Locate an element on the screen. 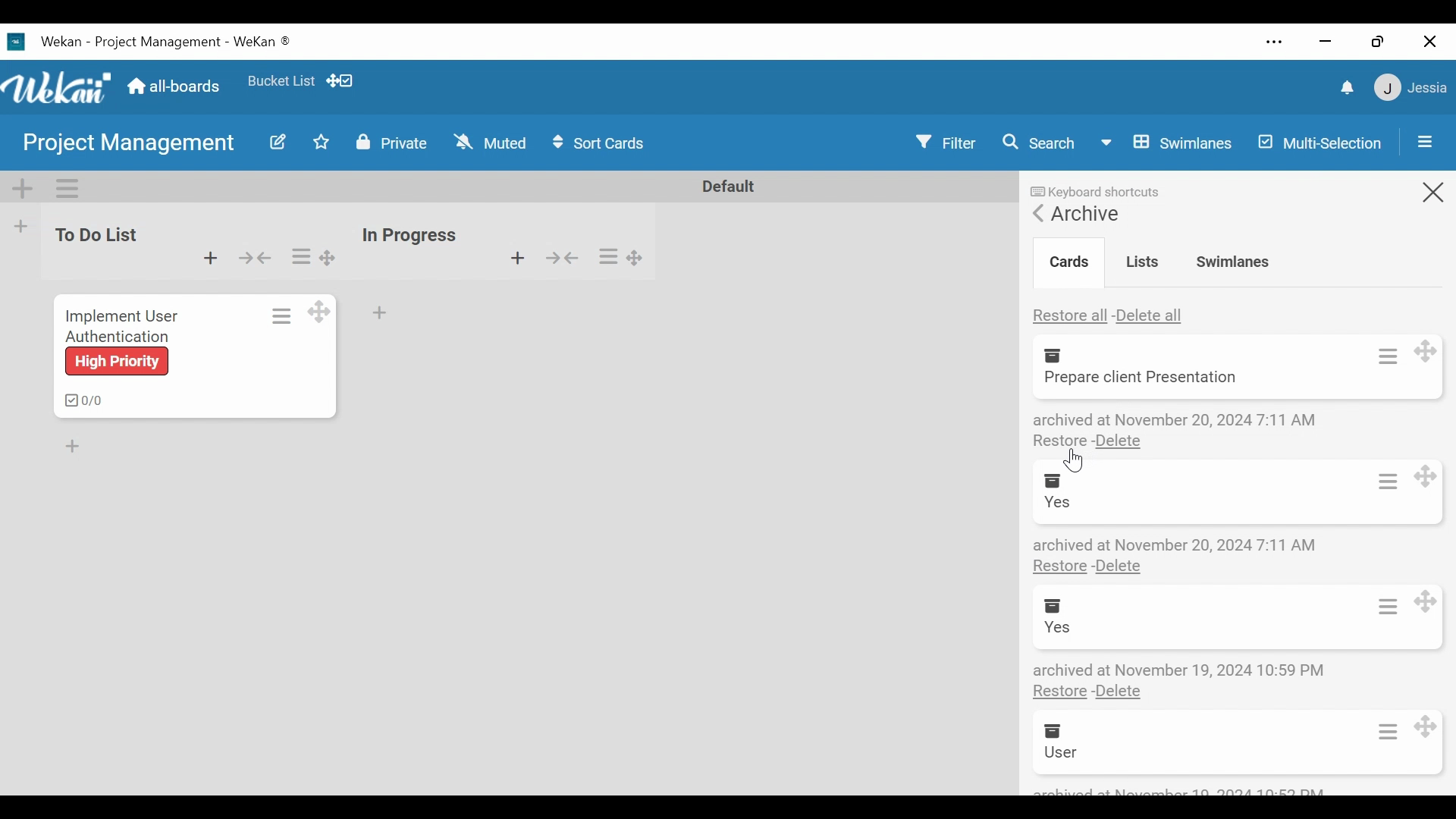  Card actions is located at coordinates (1381, 481).